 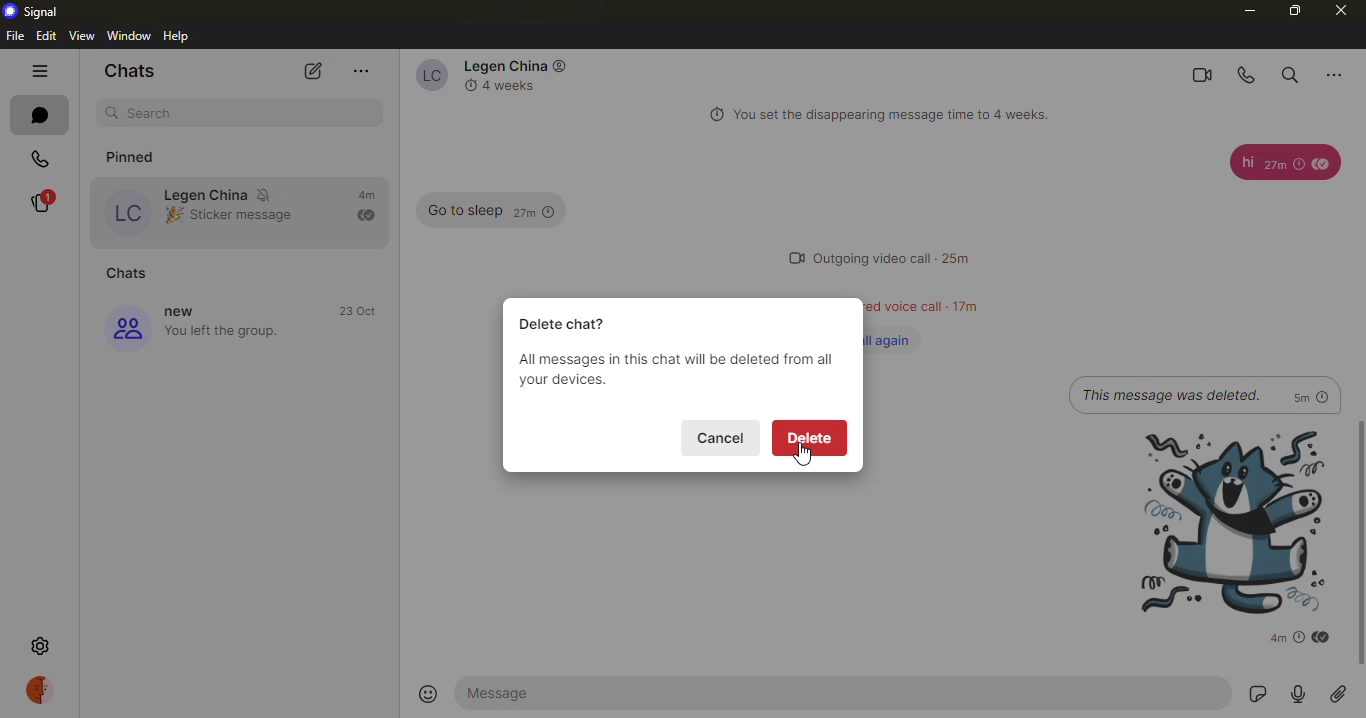 What do you see at coordinates (248, 214) in the screenshot?
I see `Sticker message` at bounding box center [248, 214].